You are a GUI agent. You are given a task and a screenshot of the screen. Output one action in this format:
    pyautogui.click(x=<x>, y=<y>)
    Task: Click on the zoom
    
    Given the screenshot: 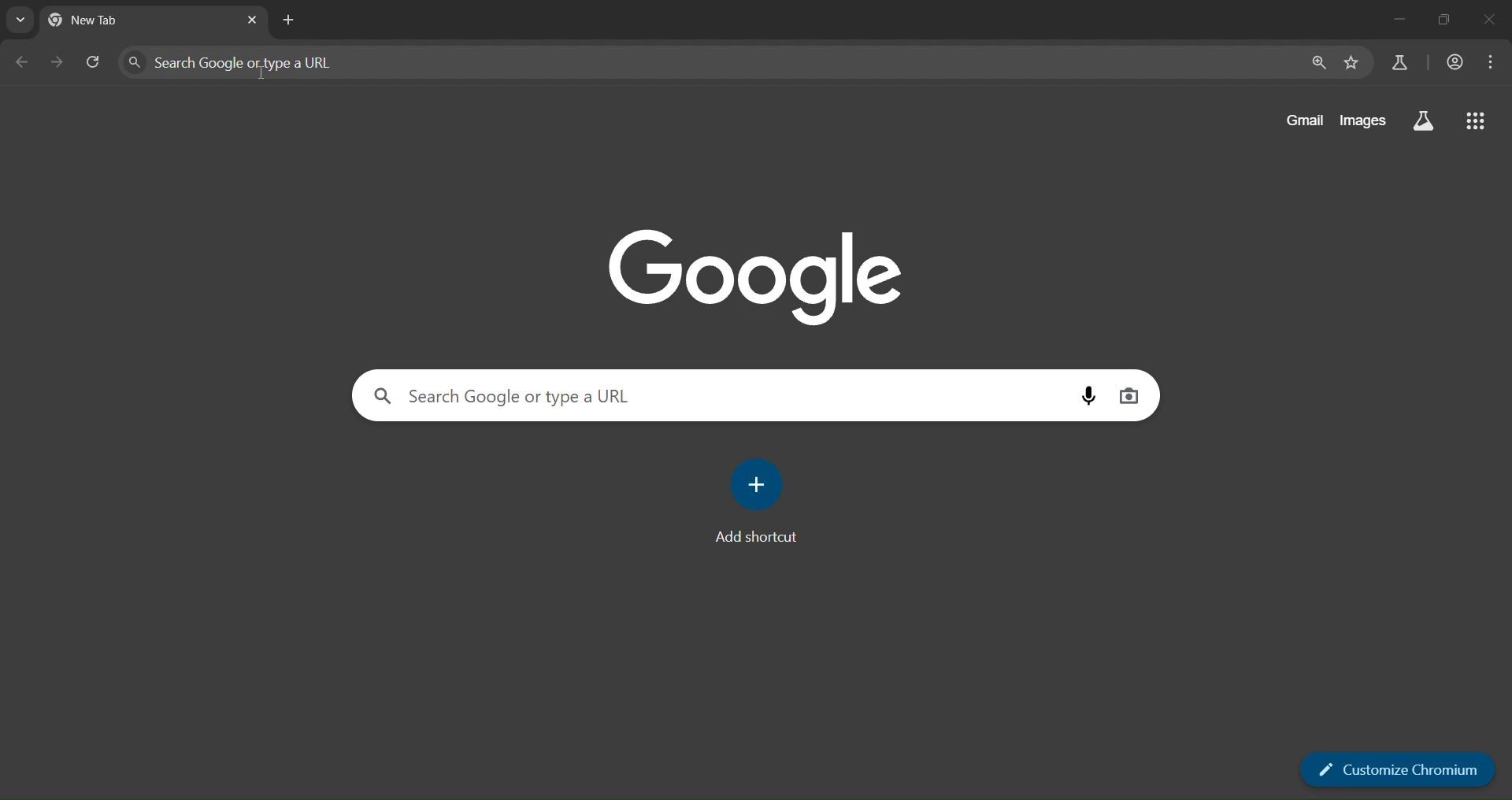 What is the action you would take?
    pyautogui.click(x=1314, y=64)
    